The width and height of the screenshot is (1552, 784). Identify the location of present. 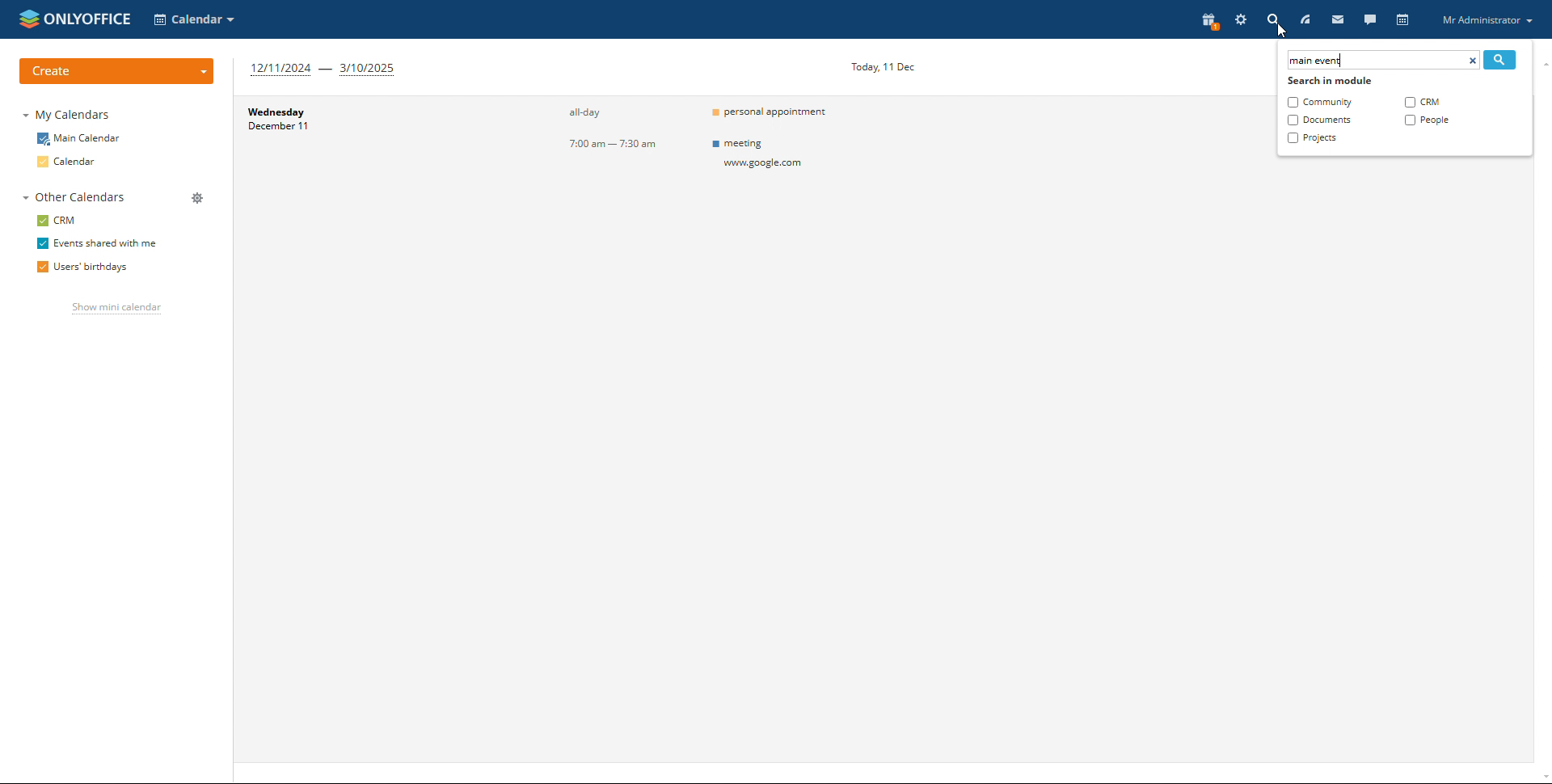
(1208, 21).